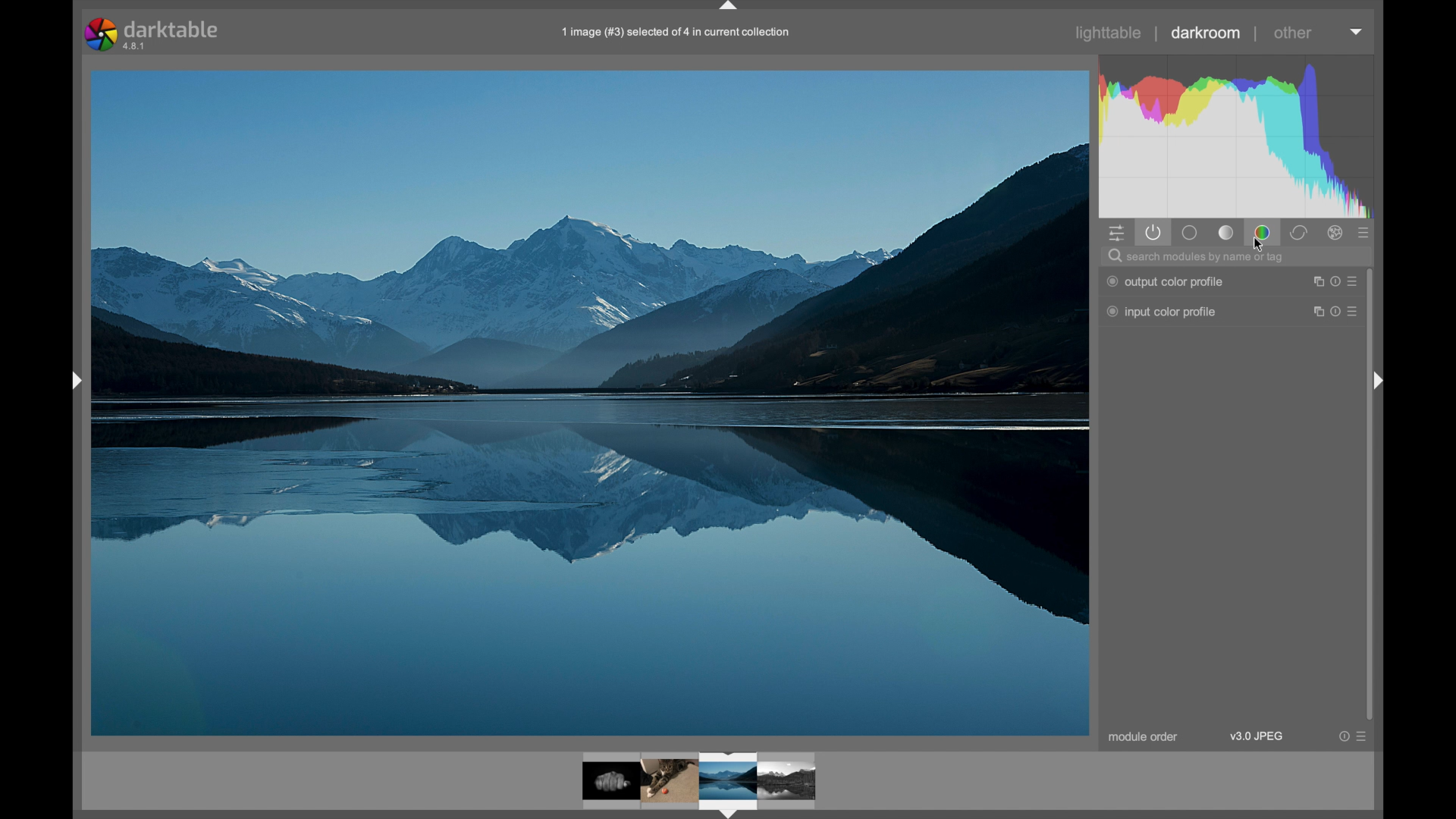 This screenshot has height=819, width=1456. Describe the element at coordinates (1301, 234) in the screenshot. I see `correct` at that location.